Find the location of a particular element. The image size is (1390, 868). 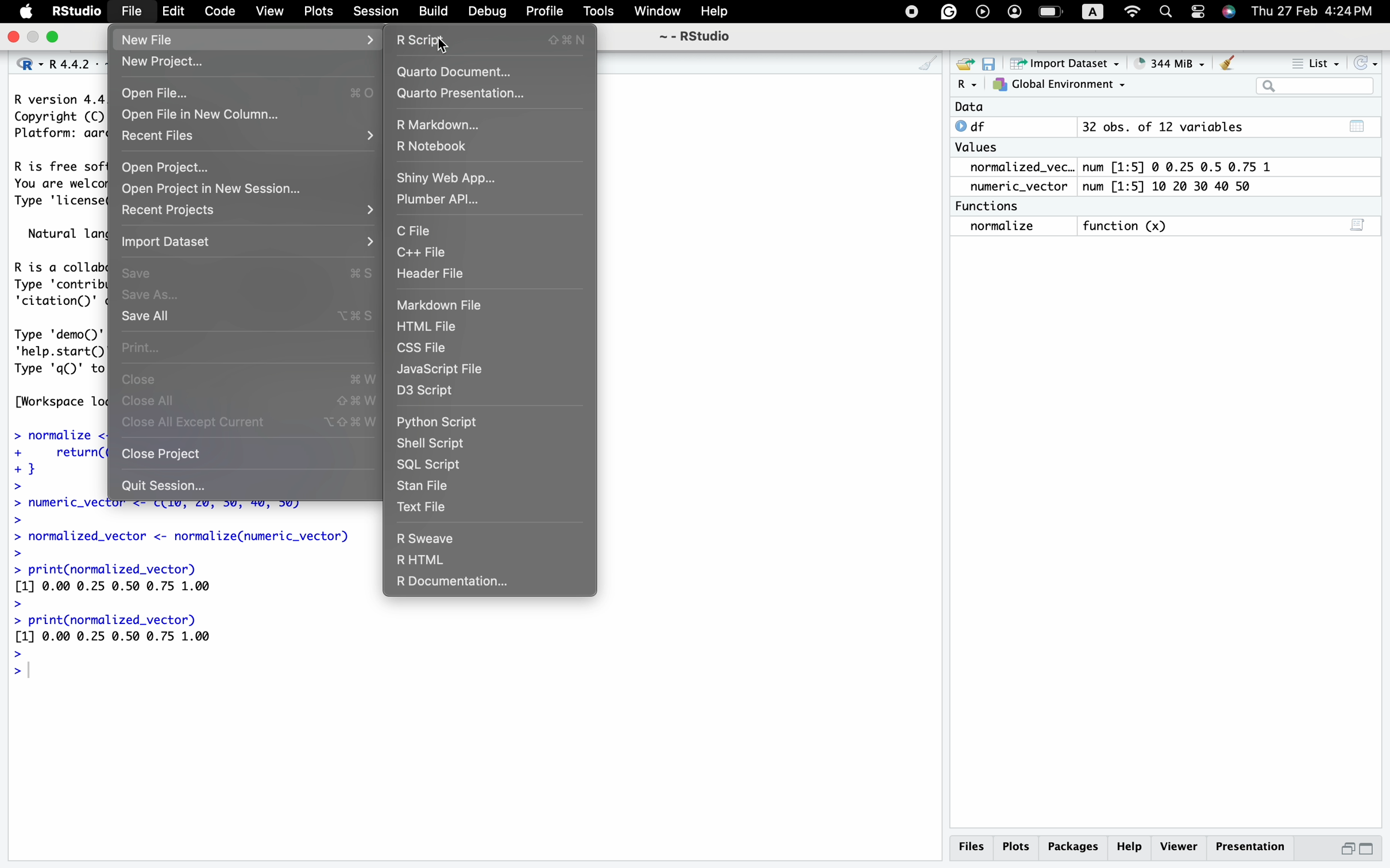

wifi is located at coordinates (1133, 10).